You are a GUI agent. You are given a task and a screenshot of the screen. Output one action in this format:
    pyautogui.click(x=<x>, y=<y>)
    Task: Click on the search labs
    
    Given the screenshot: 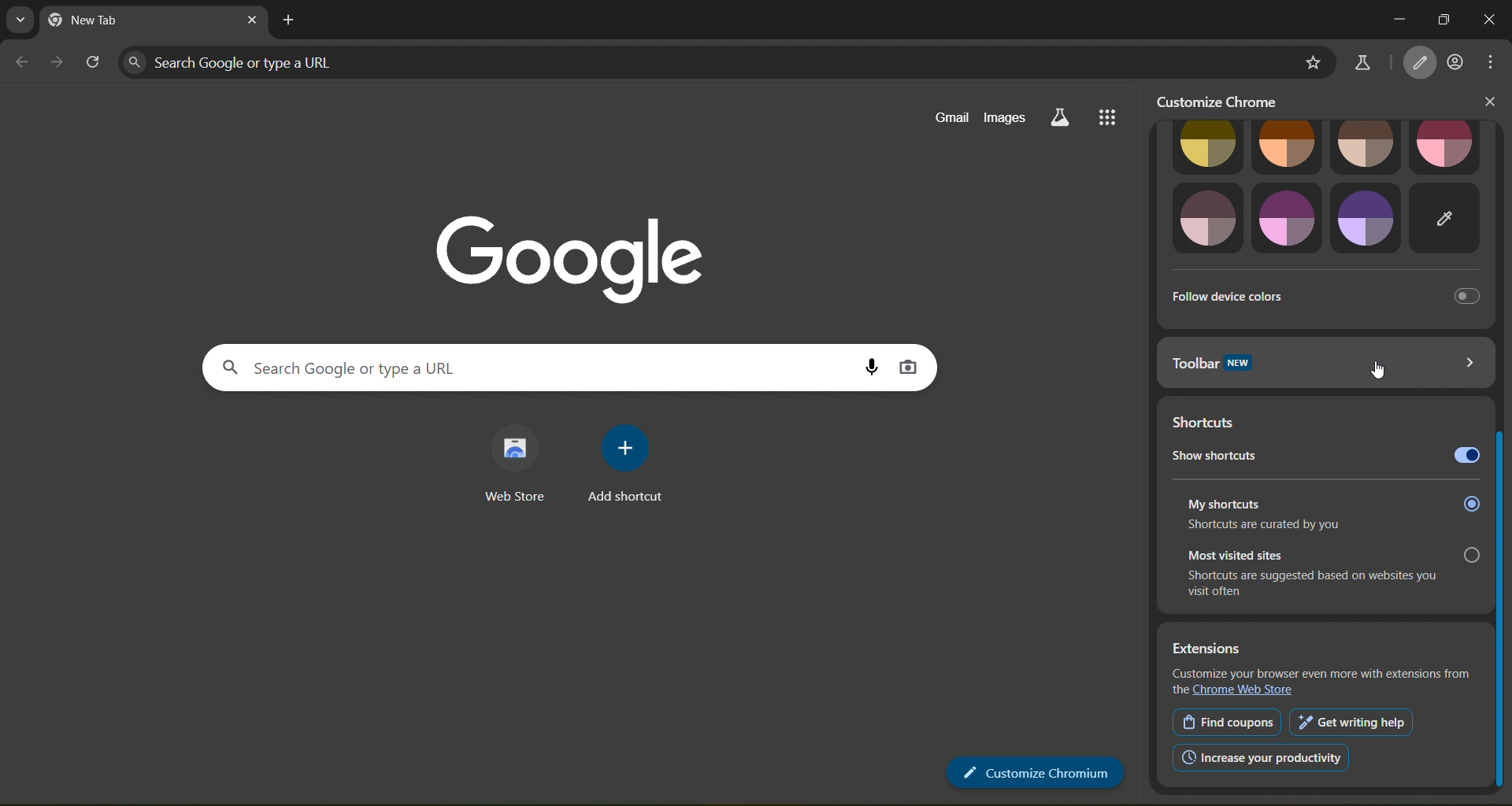 What is the action you would take?
    pyautogui.click(x=1362, y=64)
    